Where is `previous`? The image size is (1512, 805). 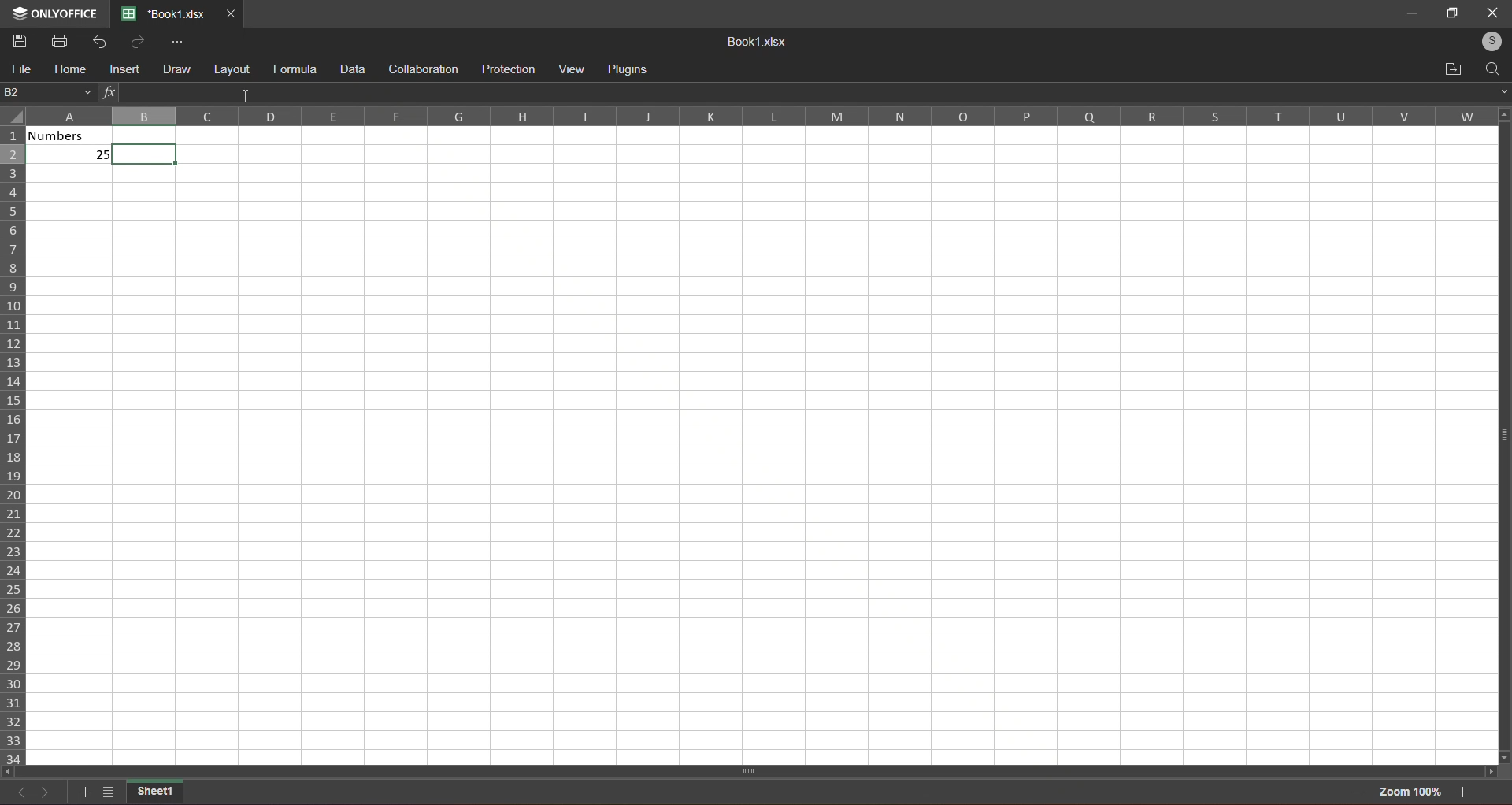
previous is located at coordinates (23, 796).